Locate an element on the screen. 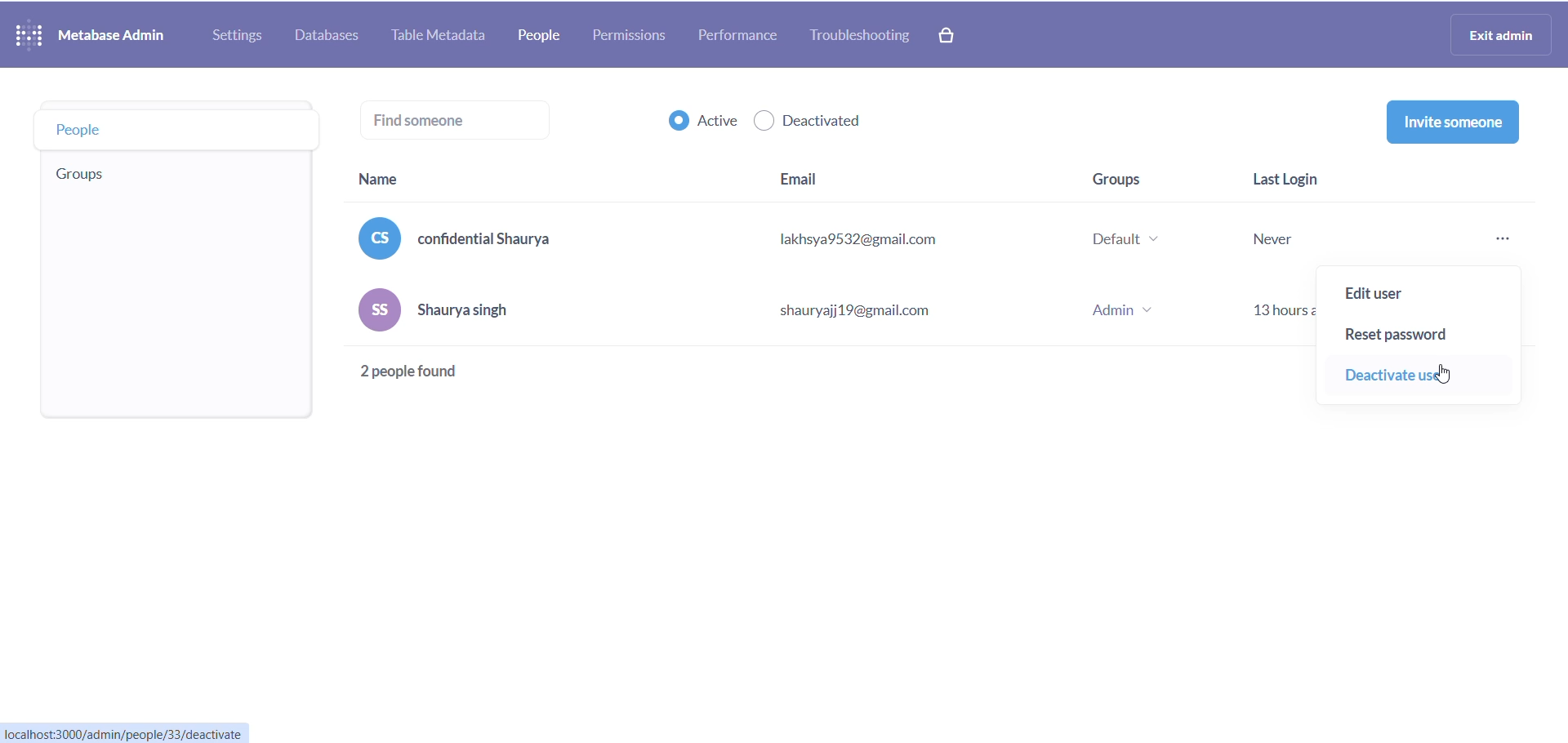 Image resolution: width=1568 pixels, height=743 pixels. invite someone is located at coordinates (1457, 123).